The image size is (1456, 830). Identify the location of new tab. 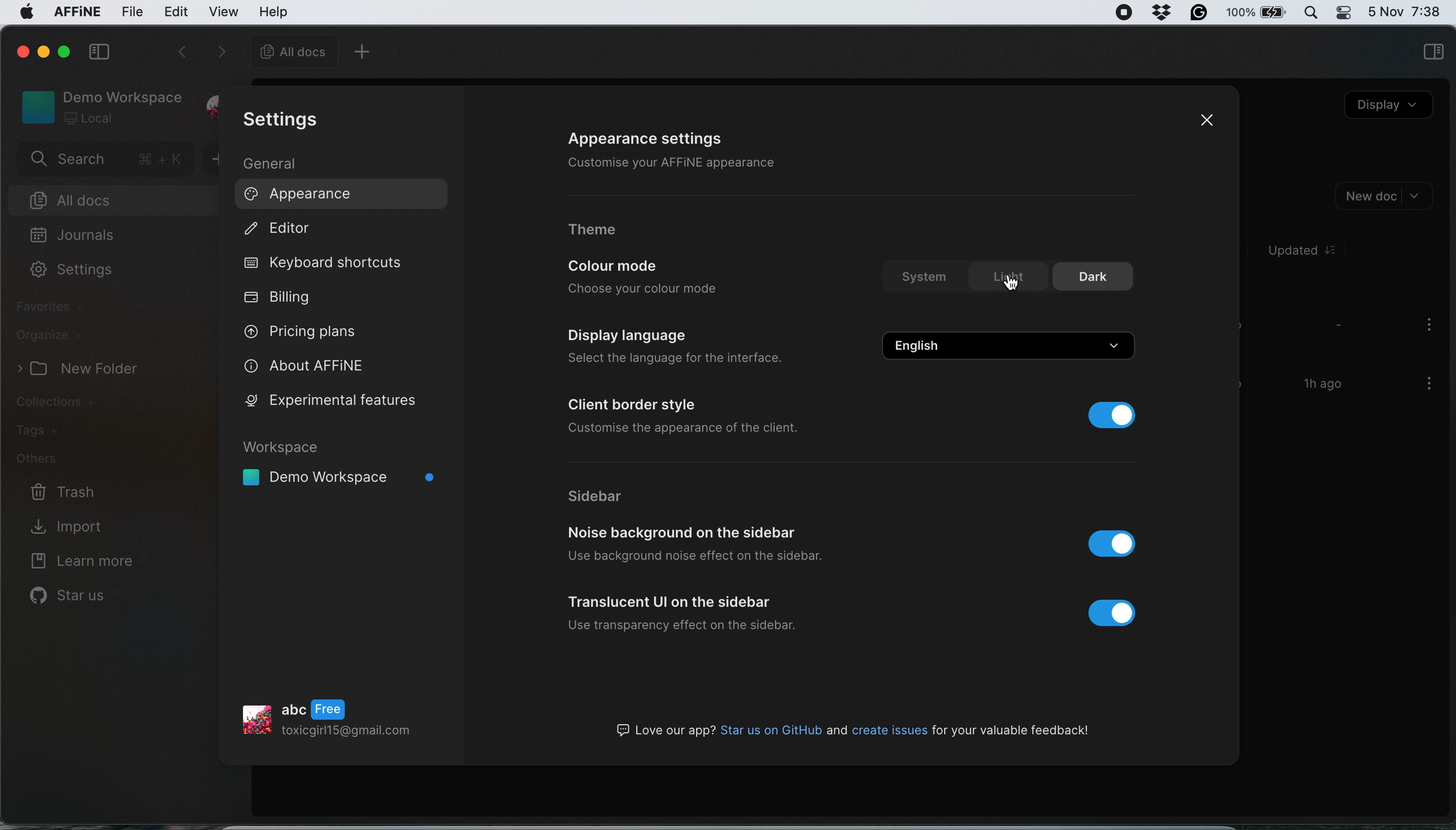
(365, 51).